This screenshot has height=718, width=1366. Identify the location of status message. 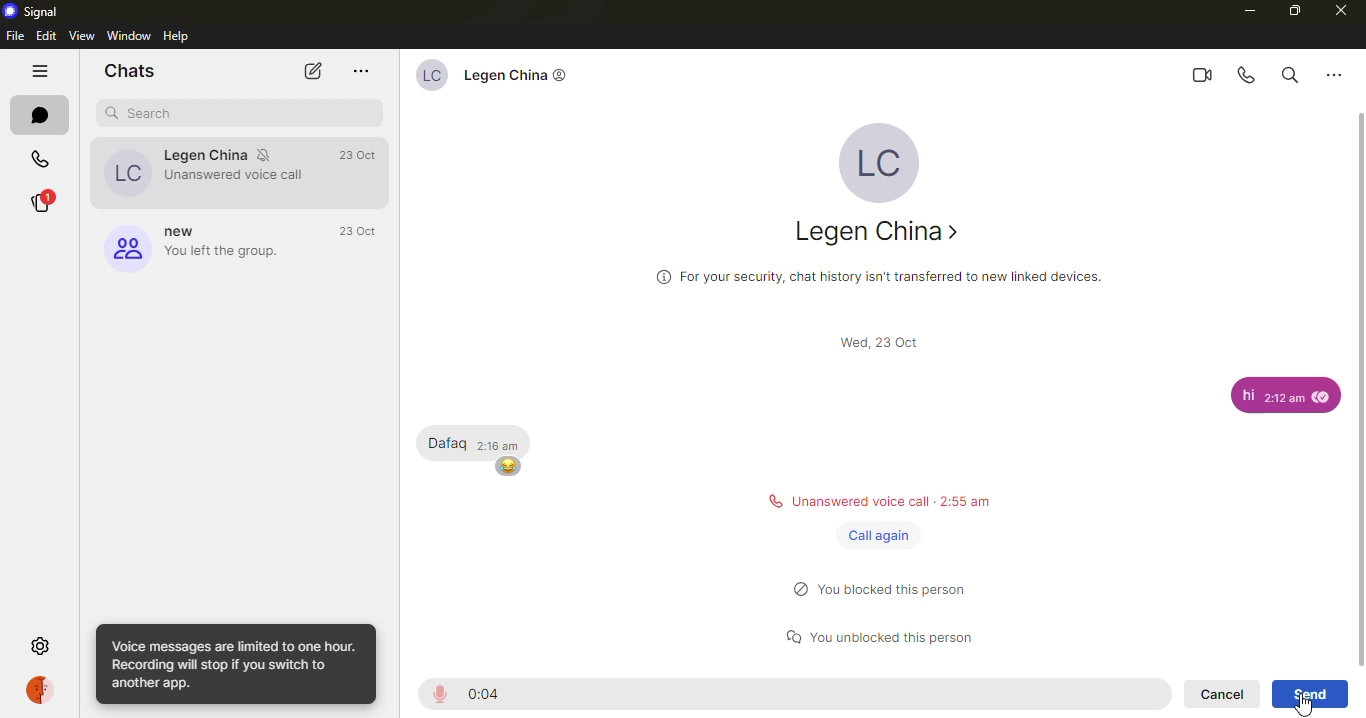
(880, 585).